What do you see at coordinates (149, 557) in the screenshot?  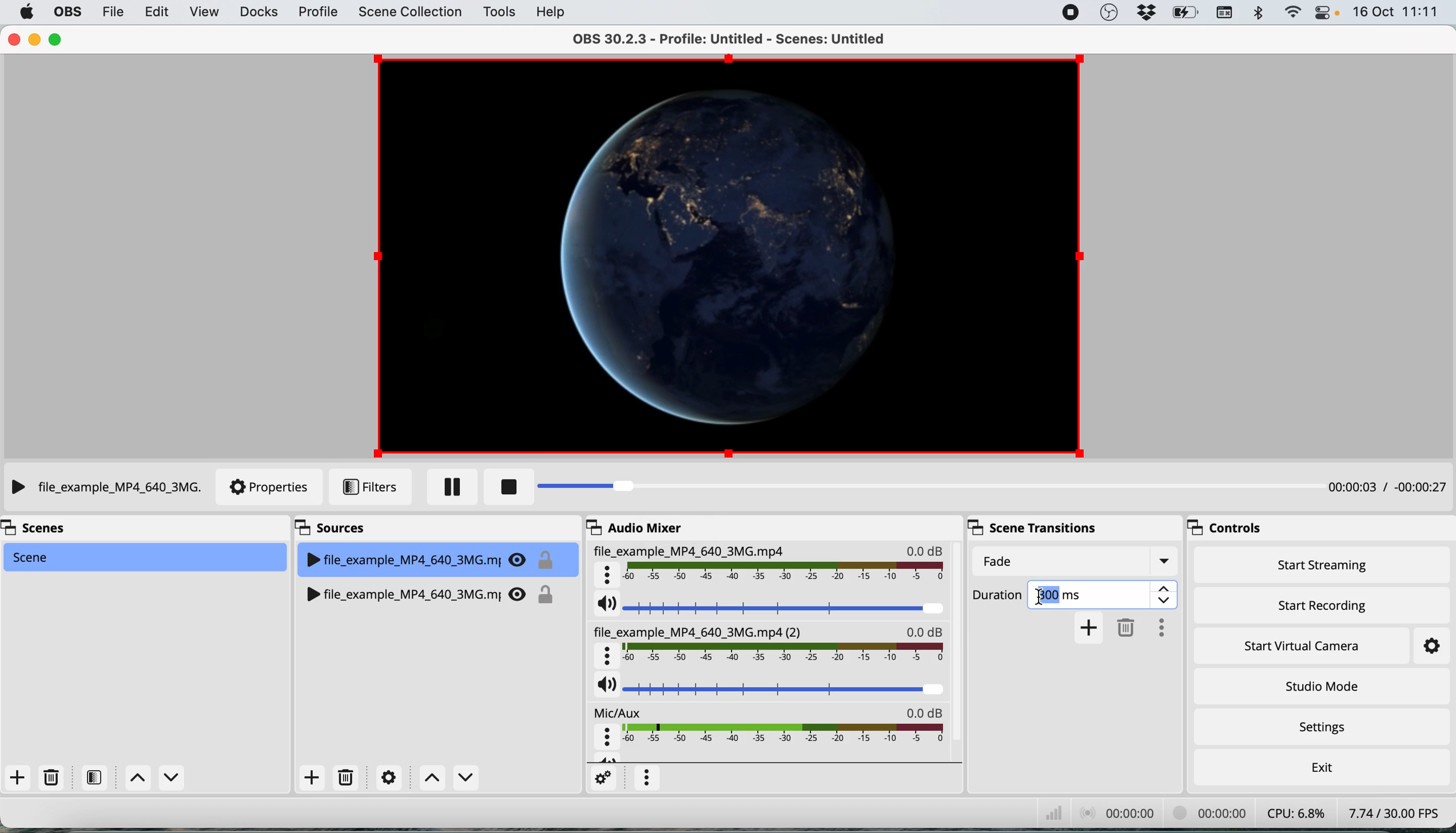 I see `current scene` at bounding box center [149, 557].